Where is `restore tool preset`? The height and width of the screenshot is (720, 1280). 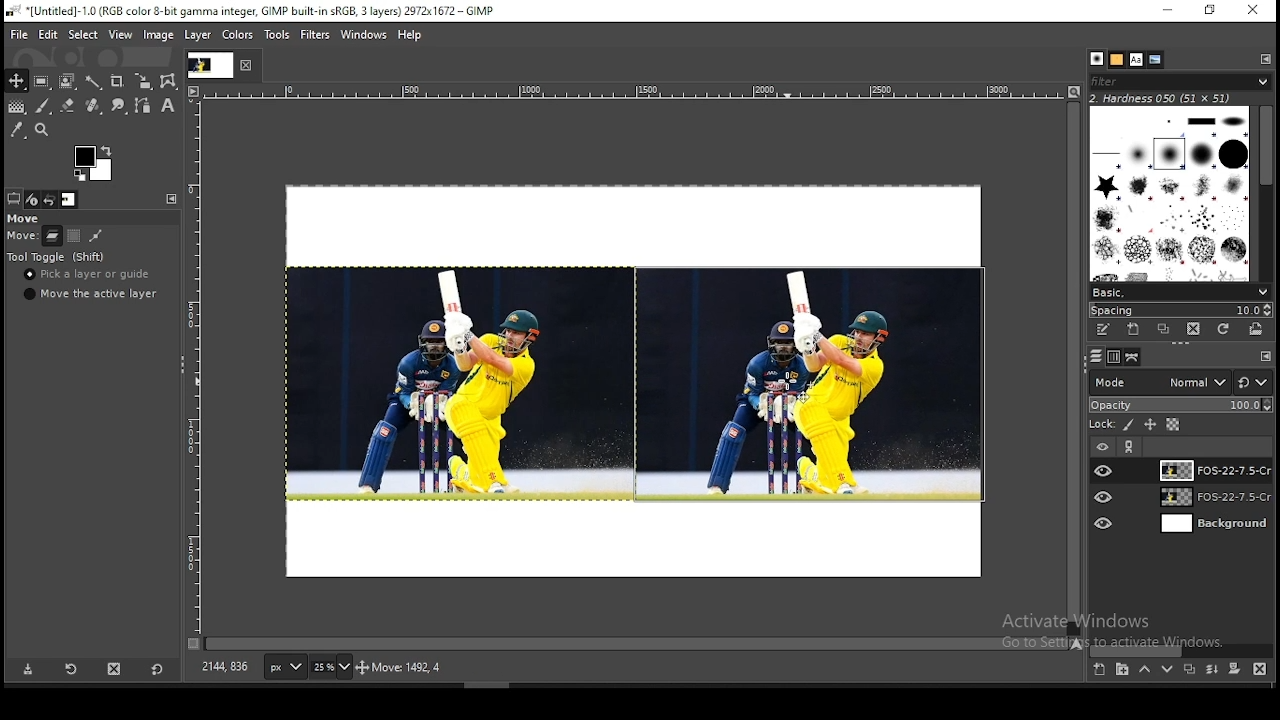
restore tool preset is located at coordinates (70, 670).